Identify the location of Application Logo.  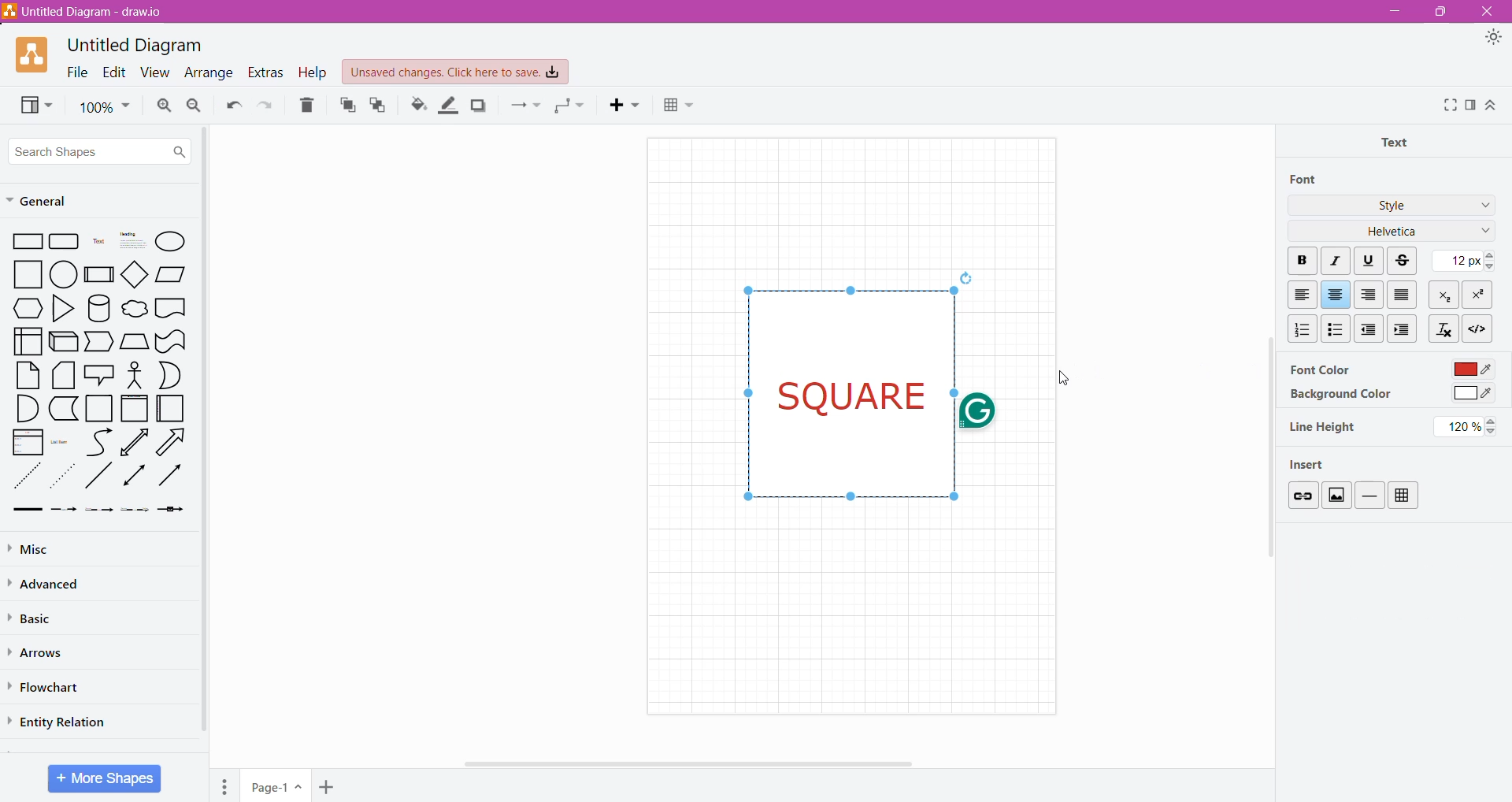
(33, 55).